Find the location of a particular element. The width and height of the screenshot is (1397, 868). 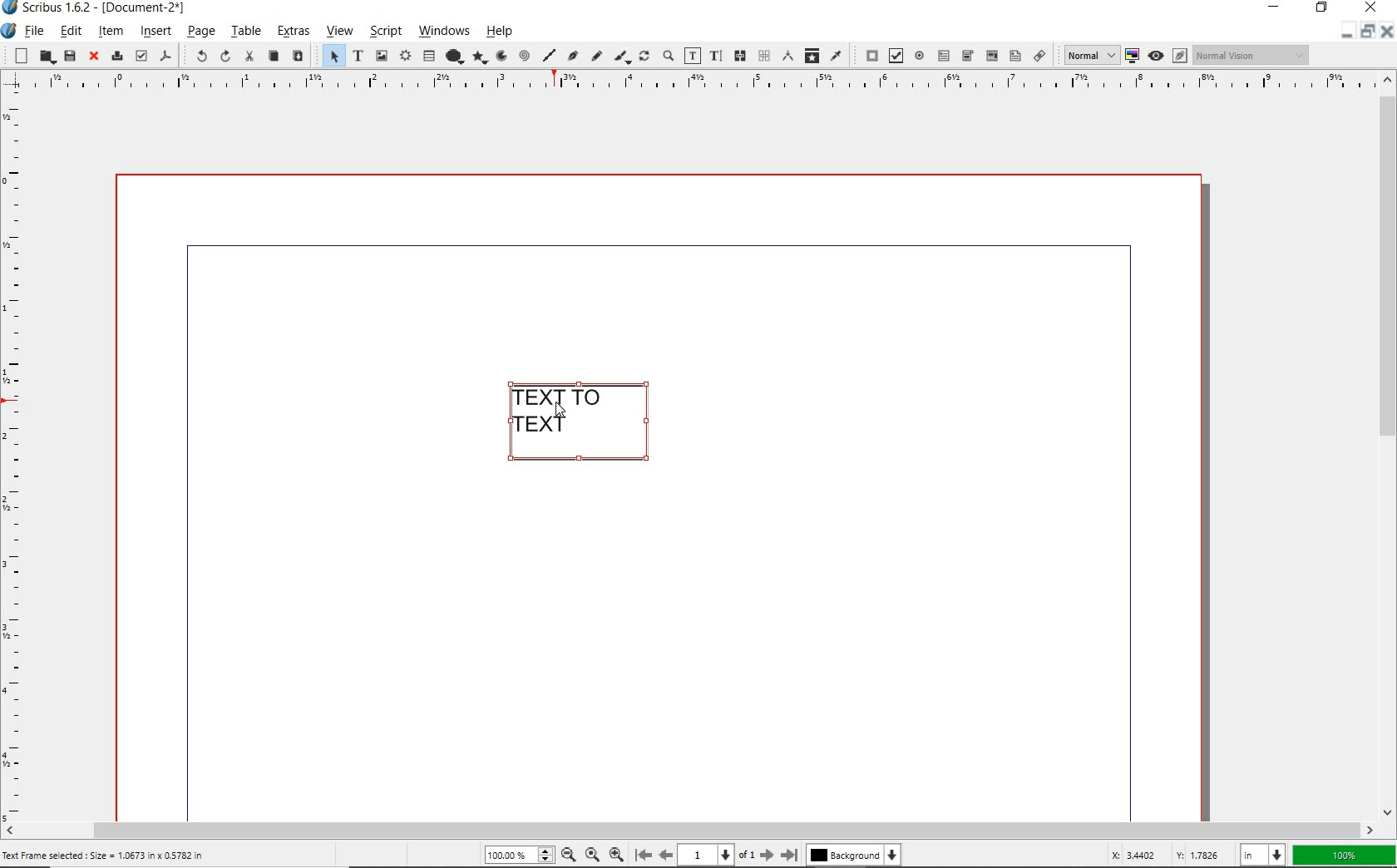

edit is located at coordinates (72, 31).